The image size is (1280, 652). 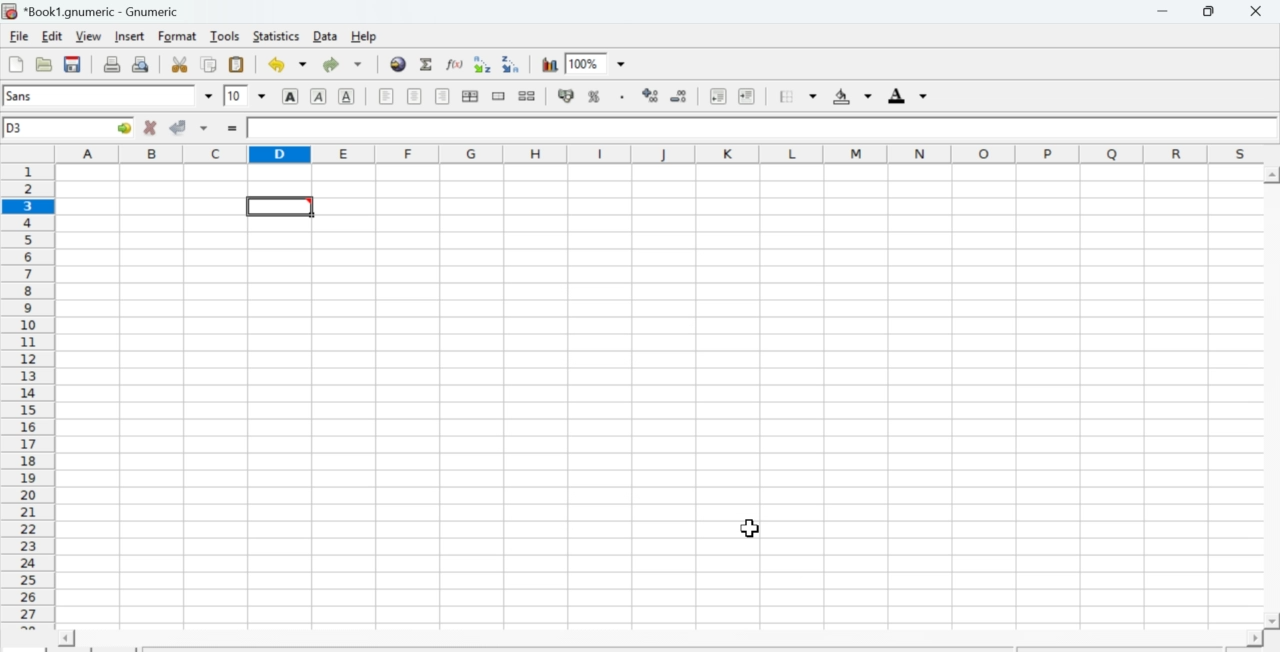 What do you see at coordinates (678, 96) in the screenshot?
I see `Decrease number of decimals` at bounding box center [678, 96].